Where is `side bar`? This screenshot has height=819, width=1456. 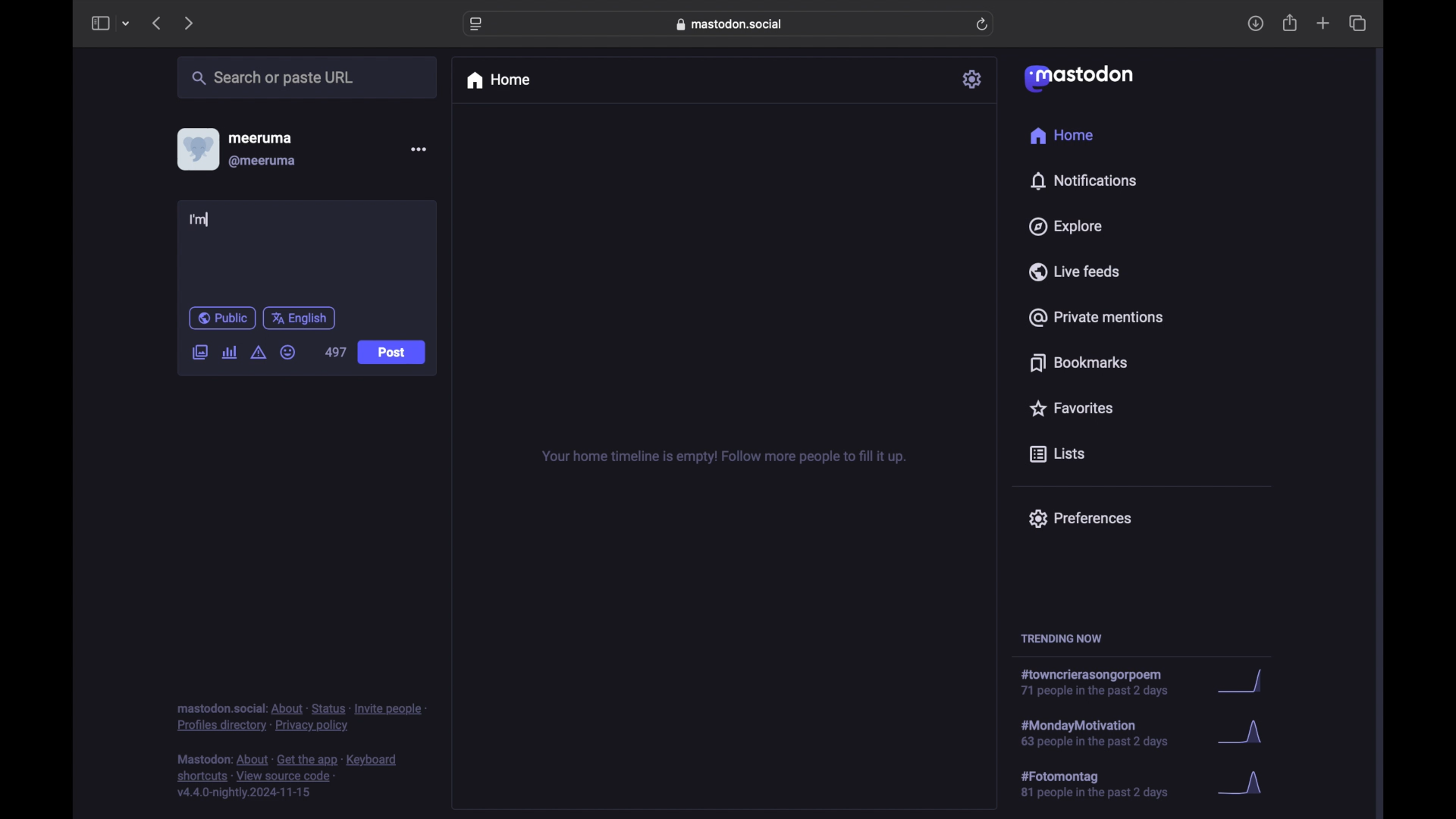 side bar is located at coordinates (99, 23).